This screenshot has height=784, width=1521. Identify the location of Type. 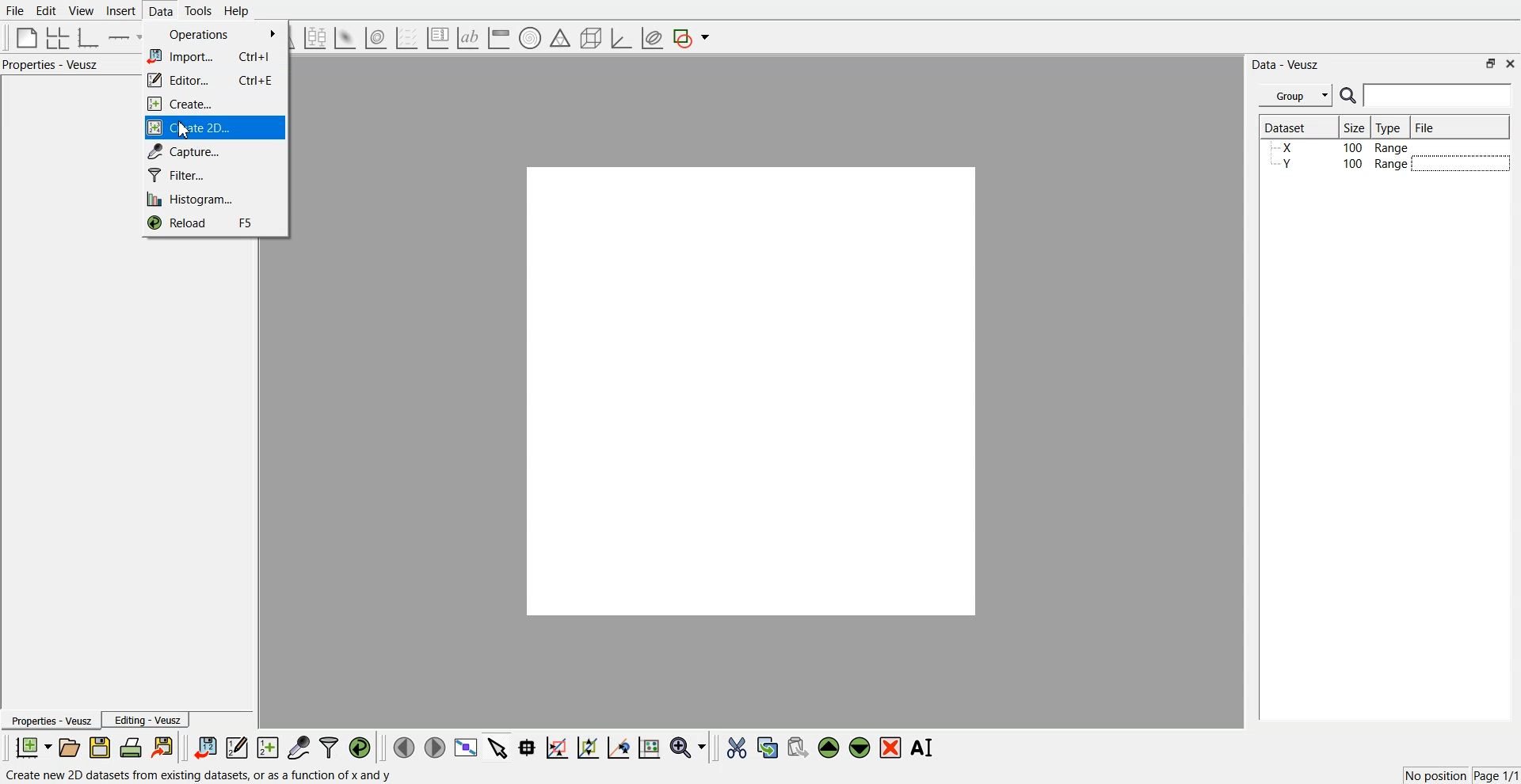
(1390, 127).